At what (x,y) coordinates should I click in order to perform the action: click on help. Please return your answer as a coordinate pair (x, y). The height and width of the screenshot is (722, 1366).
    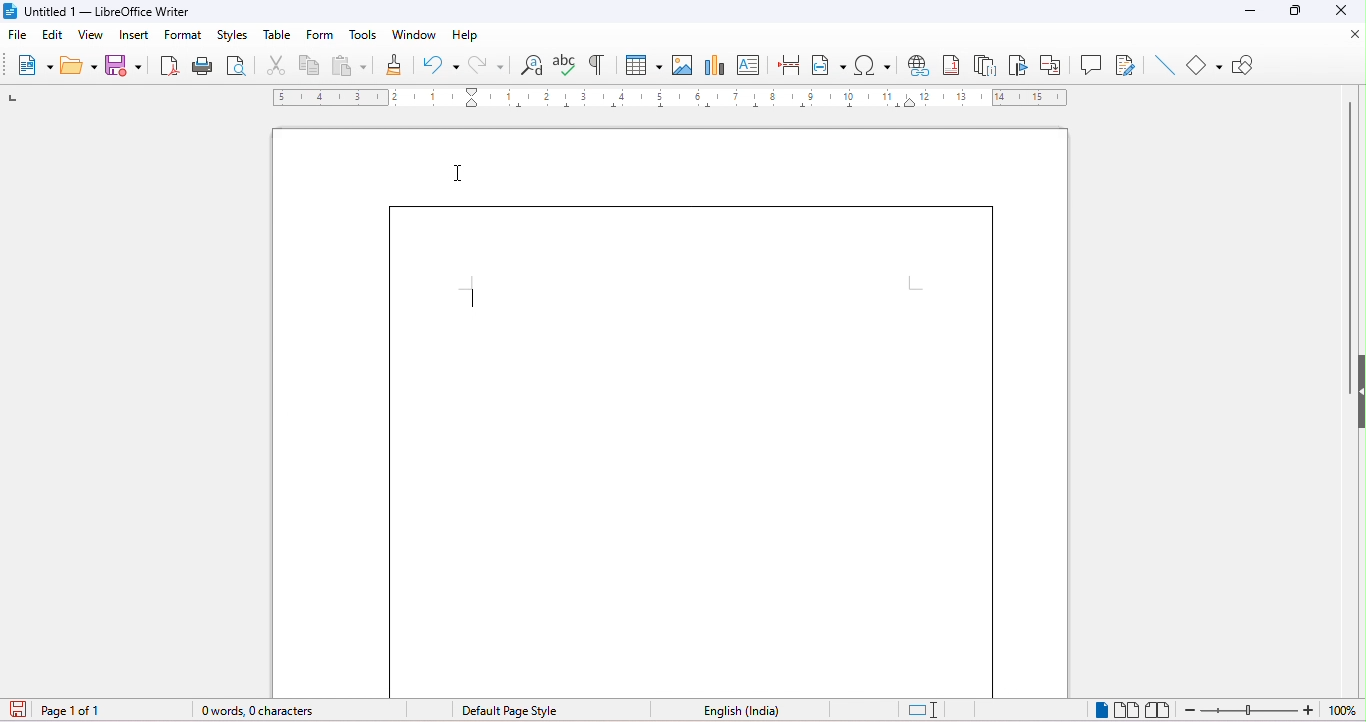
    Looking at the image, I should click on (465, 35).